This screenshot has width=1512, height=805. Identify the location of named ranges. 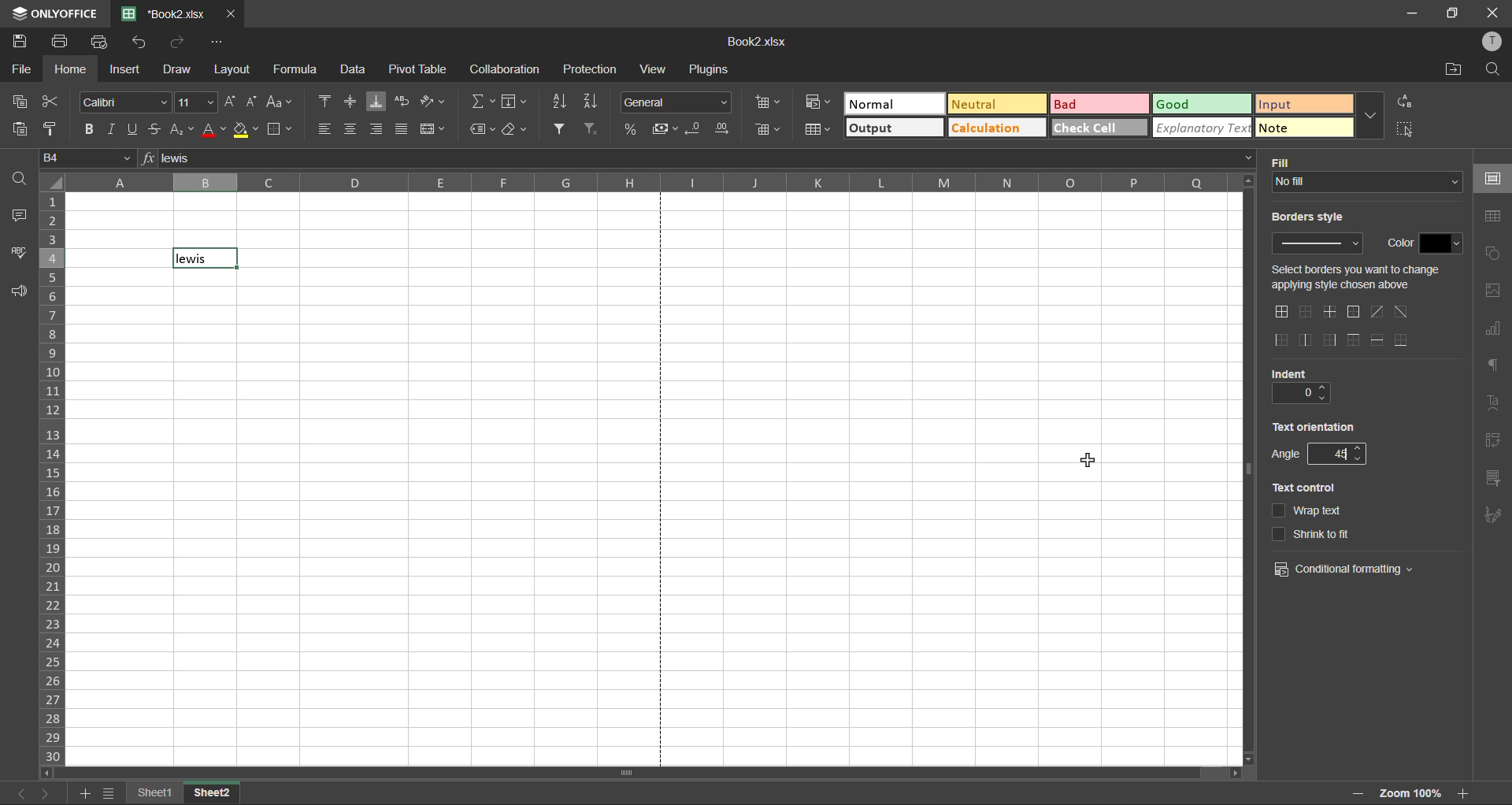
(481, 128).